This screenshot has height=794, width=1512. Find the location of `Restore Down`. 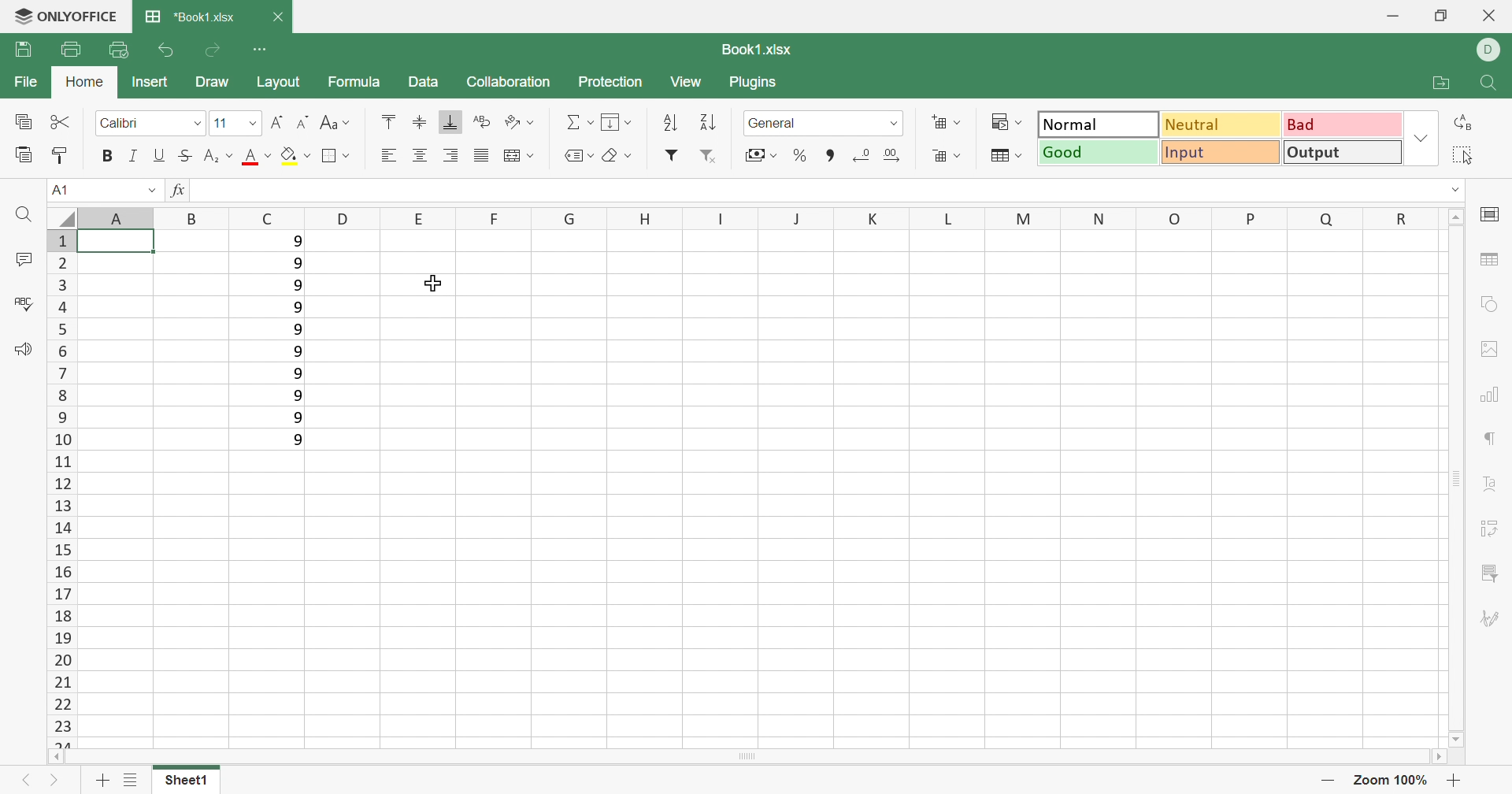

Restore Down is located at coordinates (1440, 13).